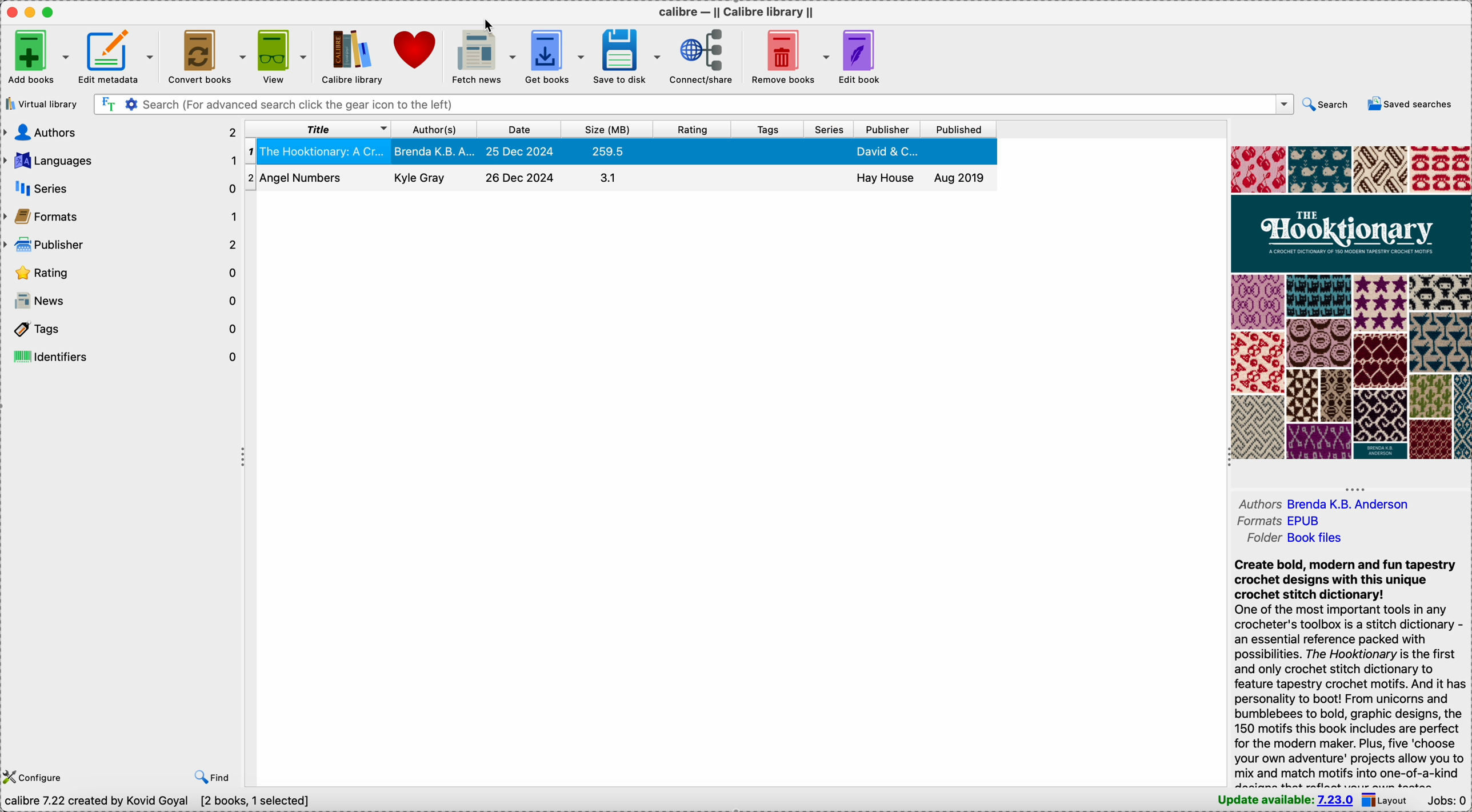 The height and width of the screenshot is (812, 1472). What do you see at coordinates (624, 153) in the screenshot?
I see `The Hooktionary book details` at bounding box center [624, 153].